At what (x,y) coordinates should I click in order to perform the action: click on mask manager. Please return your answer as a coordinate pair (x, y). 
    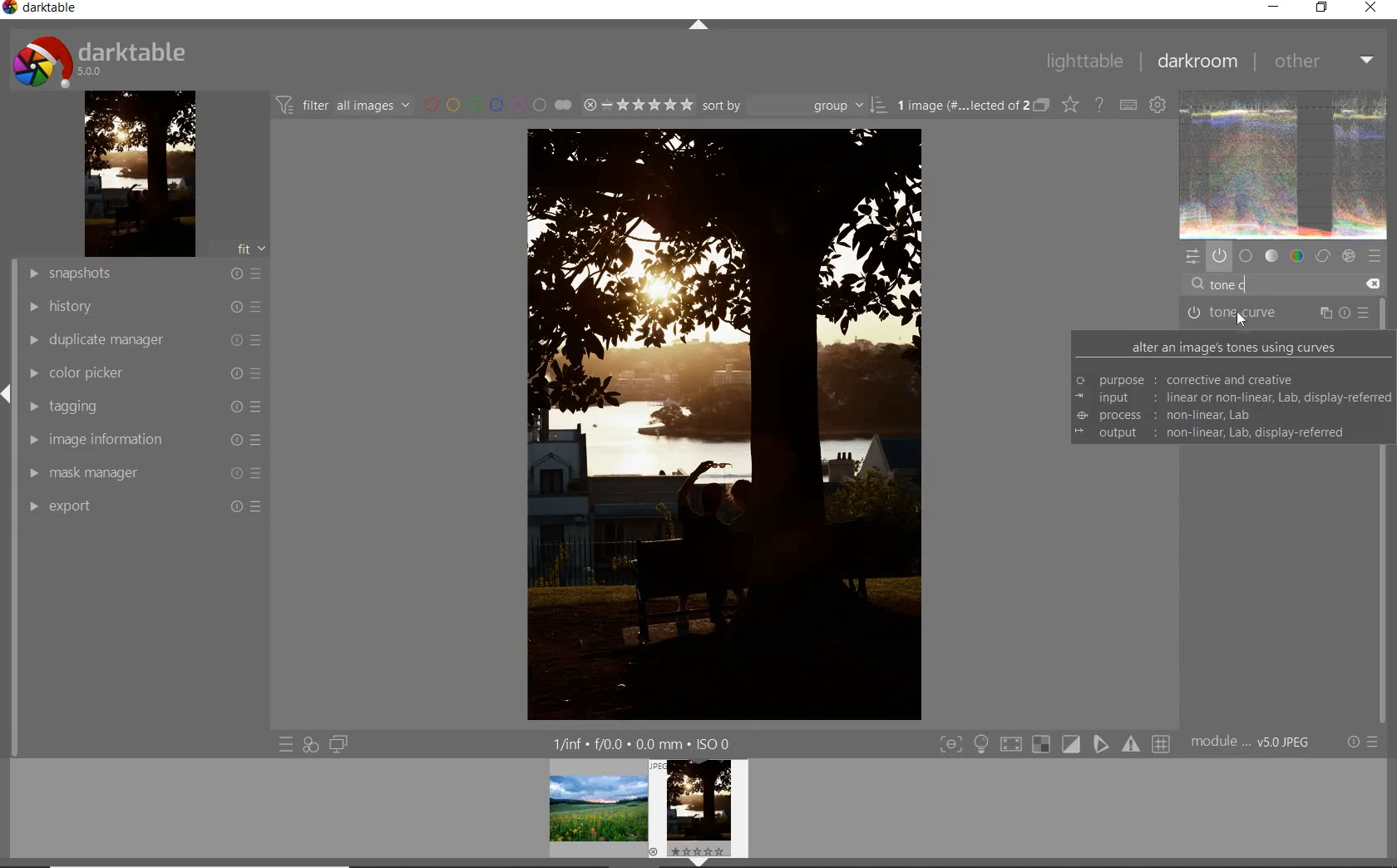
    Looking at the image, I should click on (143, 476).